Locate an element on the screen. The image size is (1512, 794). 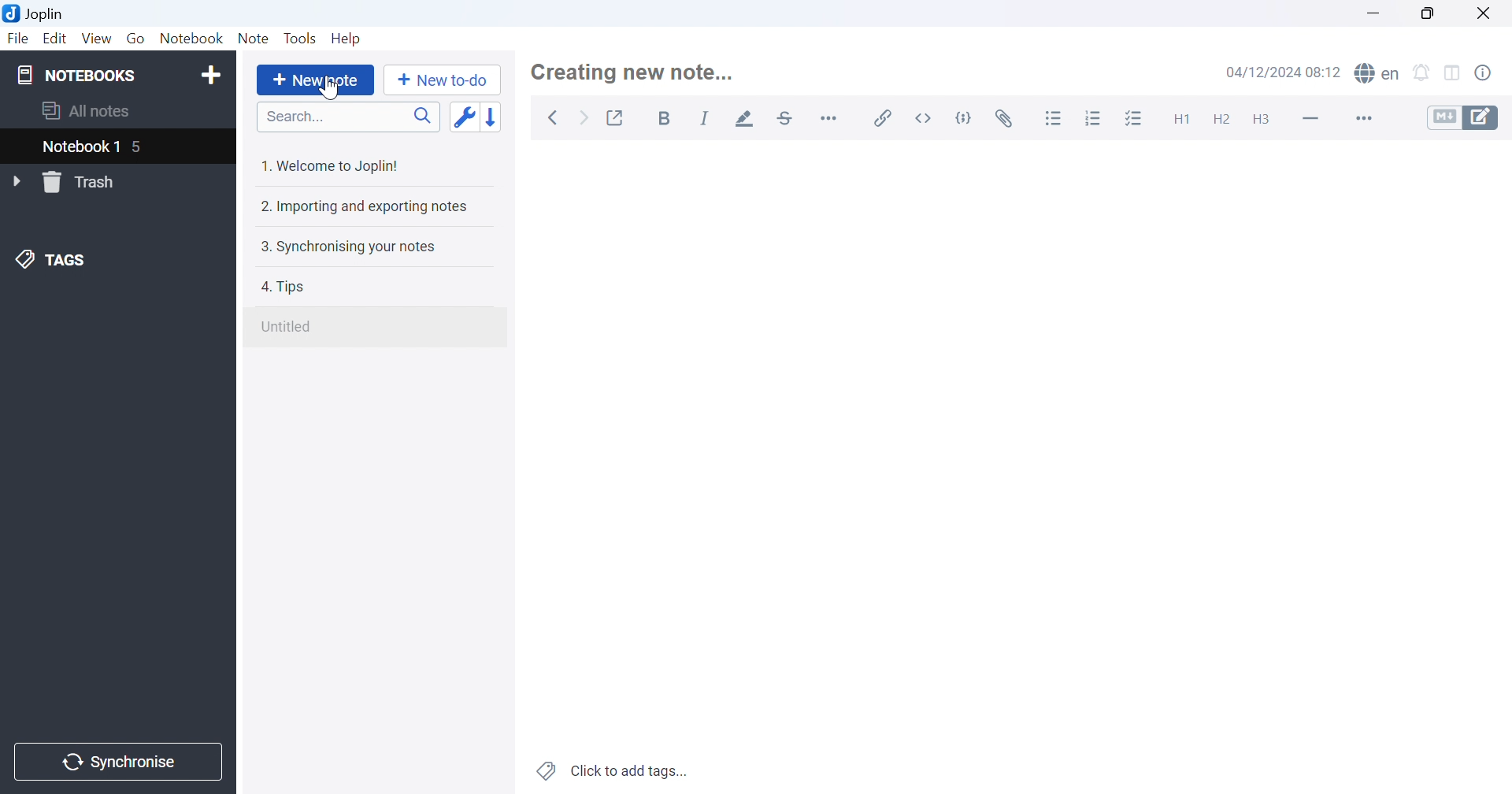
Bold is located at coordinates (668, 120).